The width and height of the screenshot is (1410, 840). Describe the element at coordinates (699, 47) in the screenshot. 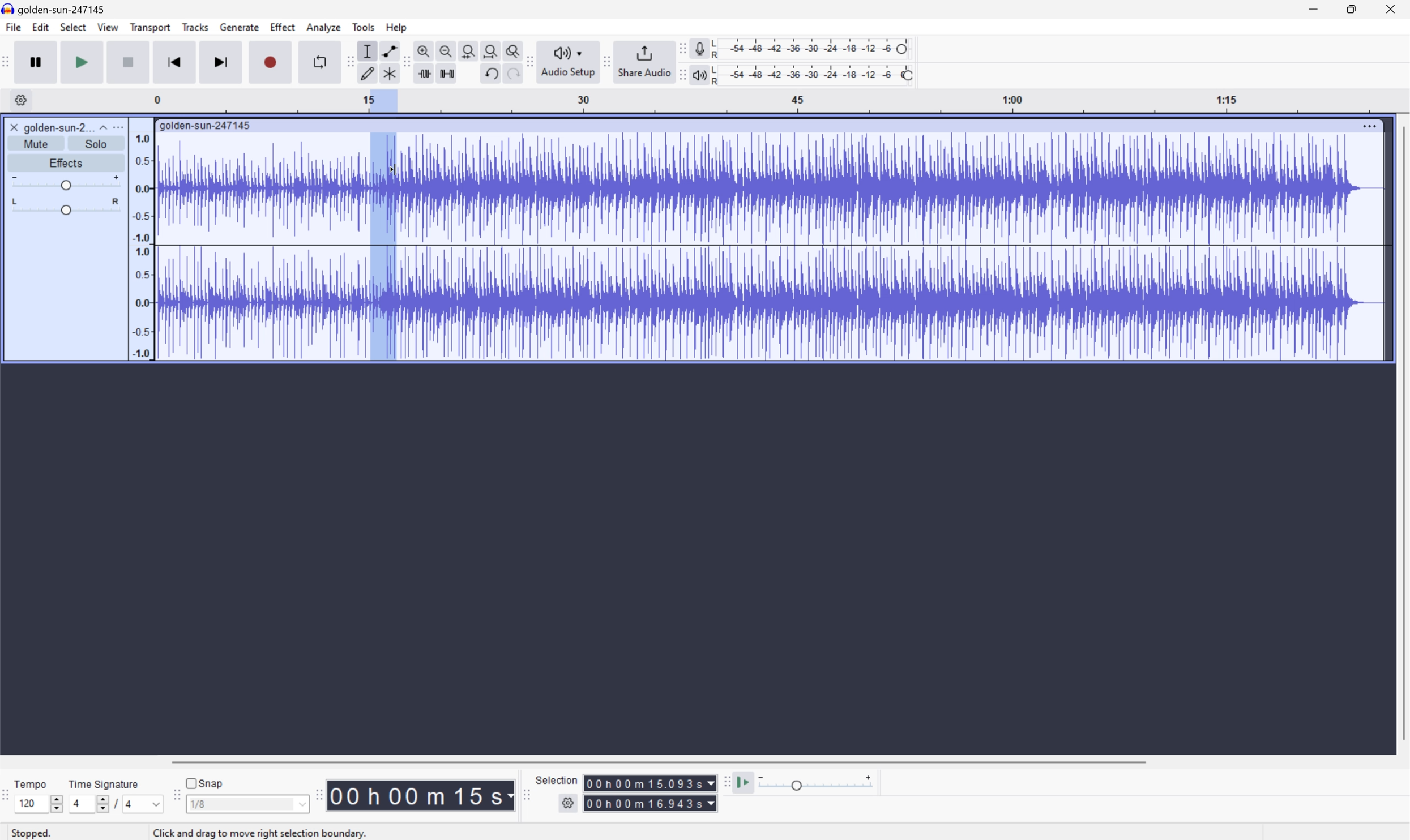

I see `Record Meter ` at that location.